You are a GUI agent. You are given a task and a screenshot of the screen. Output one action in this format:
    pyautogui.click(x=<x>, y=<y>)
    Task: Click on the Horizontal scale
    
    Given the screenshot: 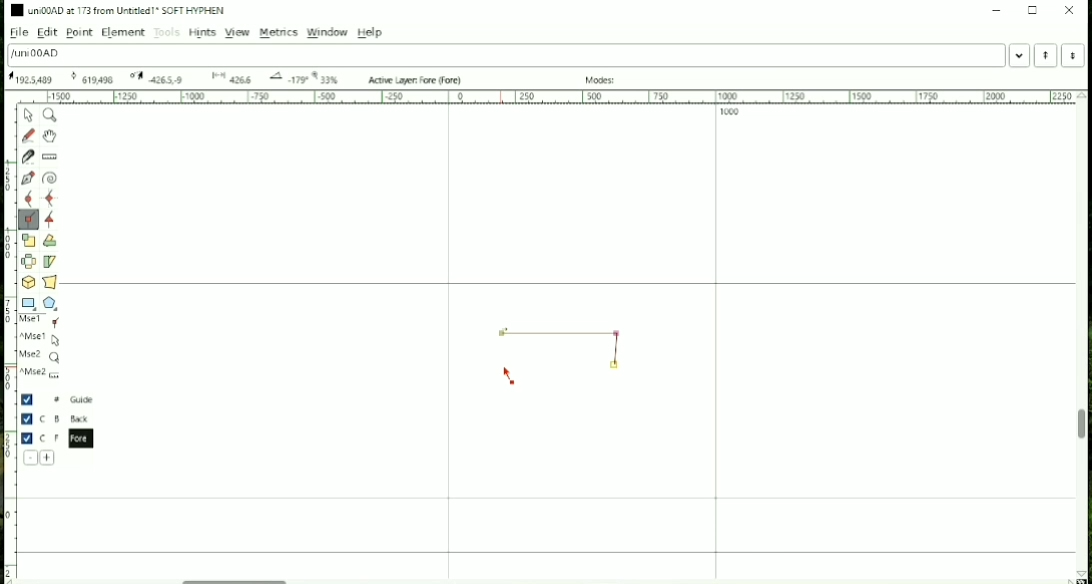 What is the action you would take?
    pyautogui.click(x=547, y=97)
    